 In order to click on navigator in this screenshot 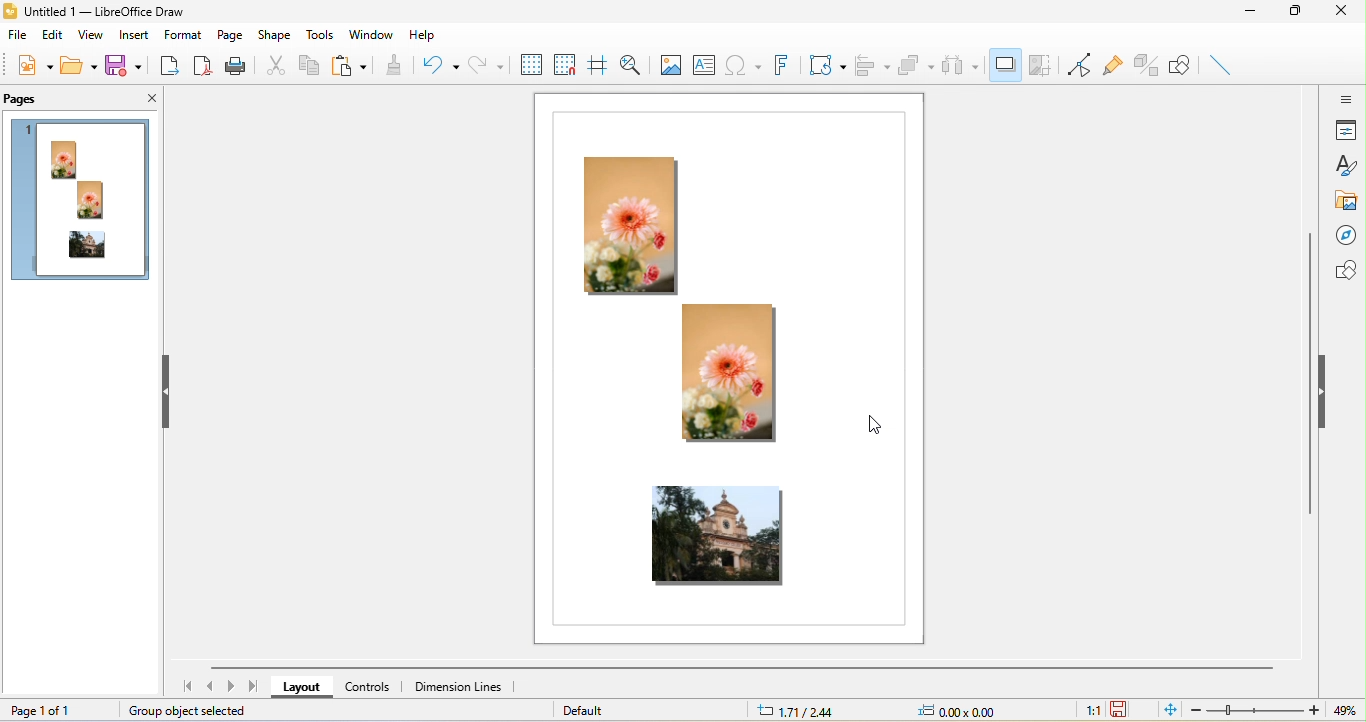, I will do `click(1349, 235)`.